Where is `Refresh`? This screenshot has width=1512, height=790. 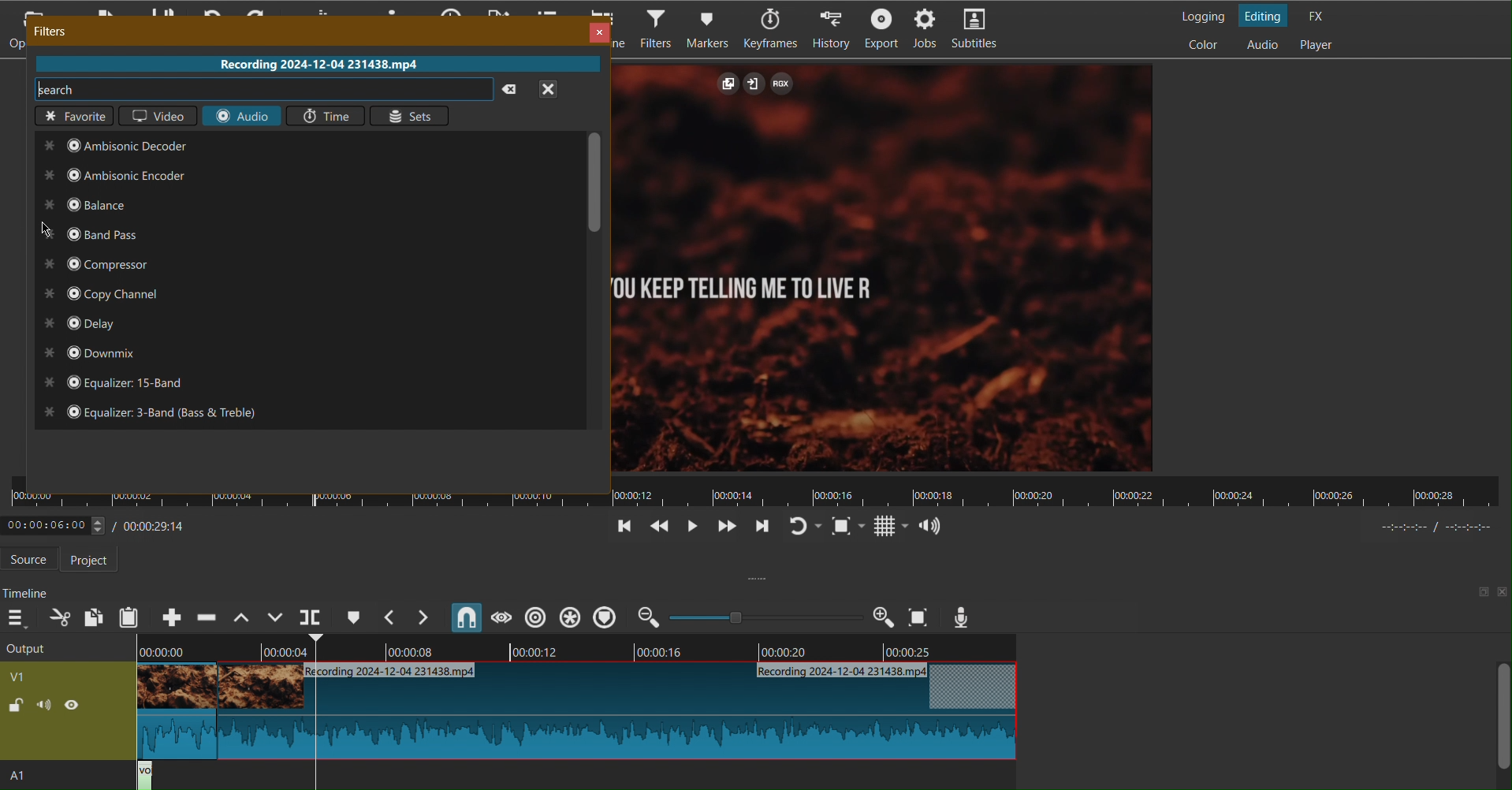 Refresh is located at coordinates (805, 527).